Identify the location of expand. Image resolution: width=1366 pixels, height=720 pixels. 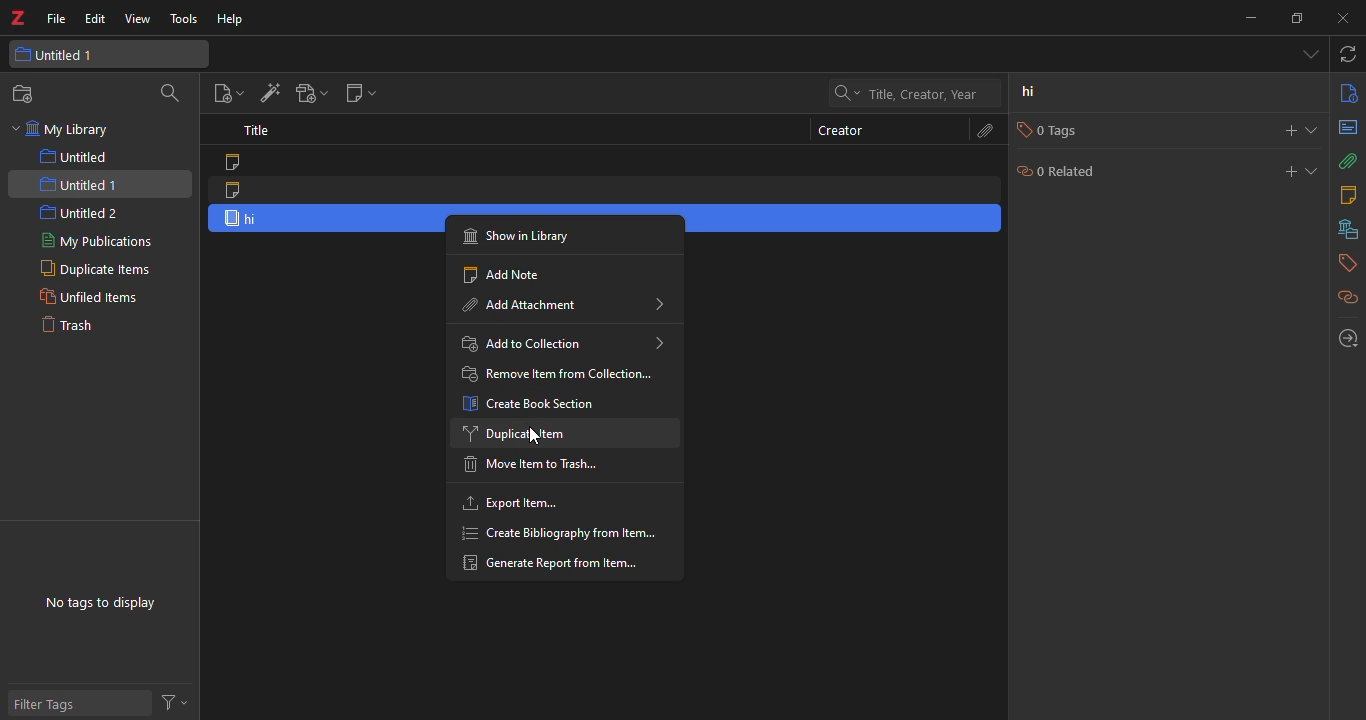
(1314, 170).